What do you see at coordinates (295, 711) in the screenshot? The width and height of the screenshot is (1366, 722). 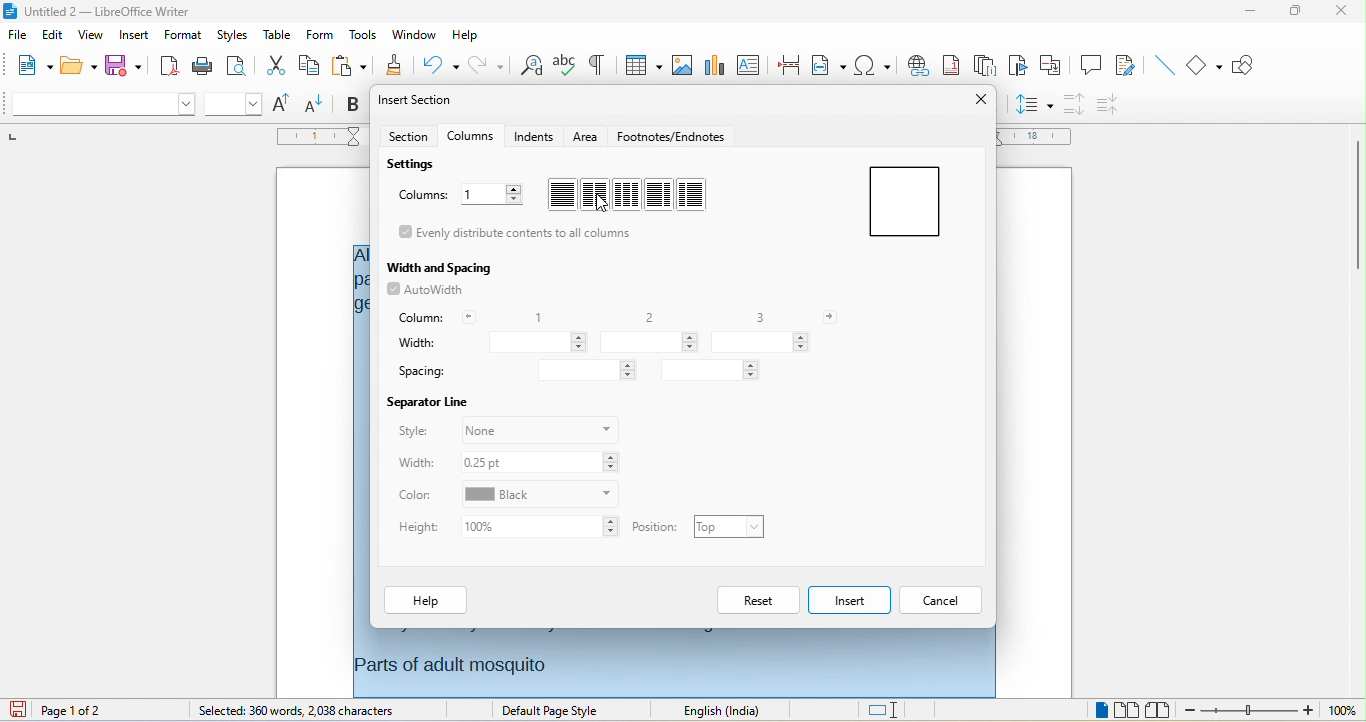 I see `selected: 360 words,2038 characters` at bounding box center [295, 711].